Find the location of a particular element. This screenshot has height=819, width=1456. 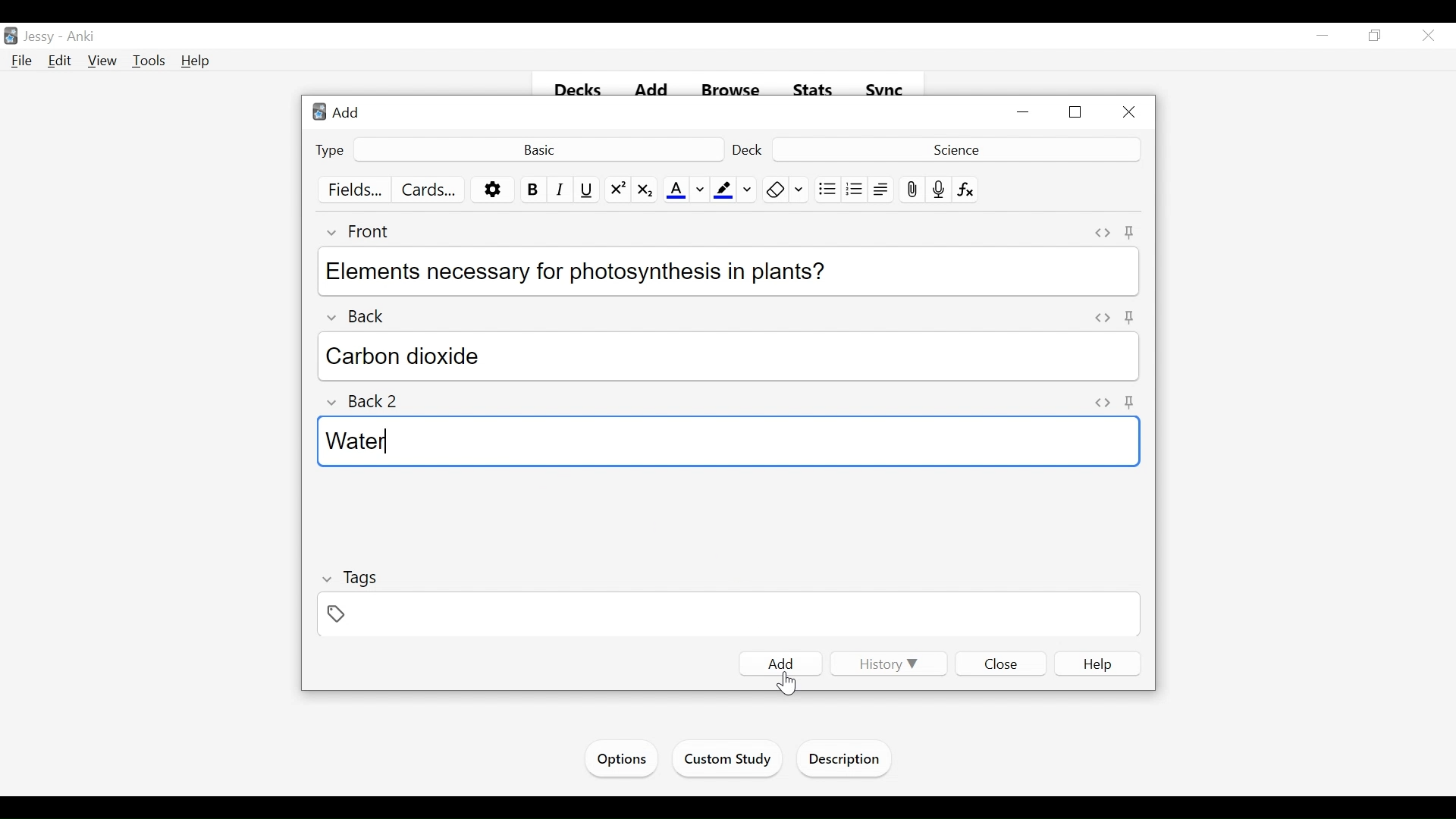

Close is located at coordinates (1002, 663).